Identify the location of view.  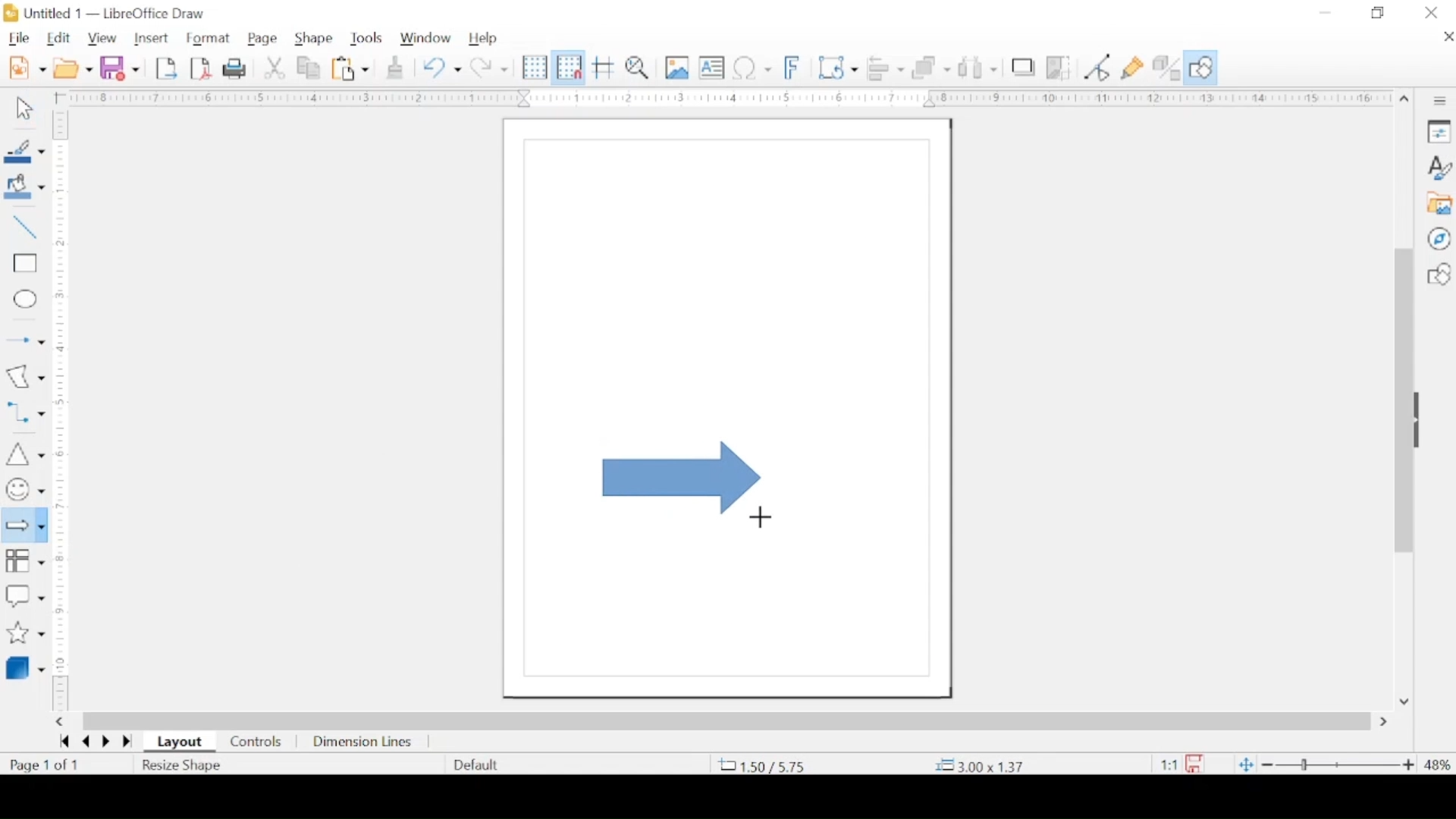
(101, 39).